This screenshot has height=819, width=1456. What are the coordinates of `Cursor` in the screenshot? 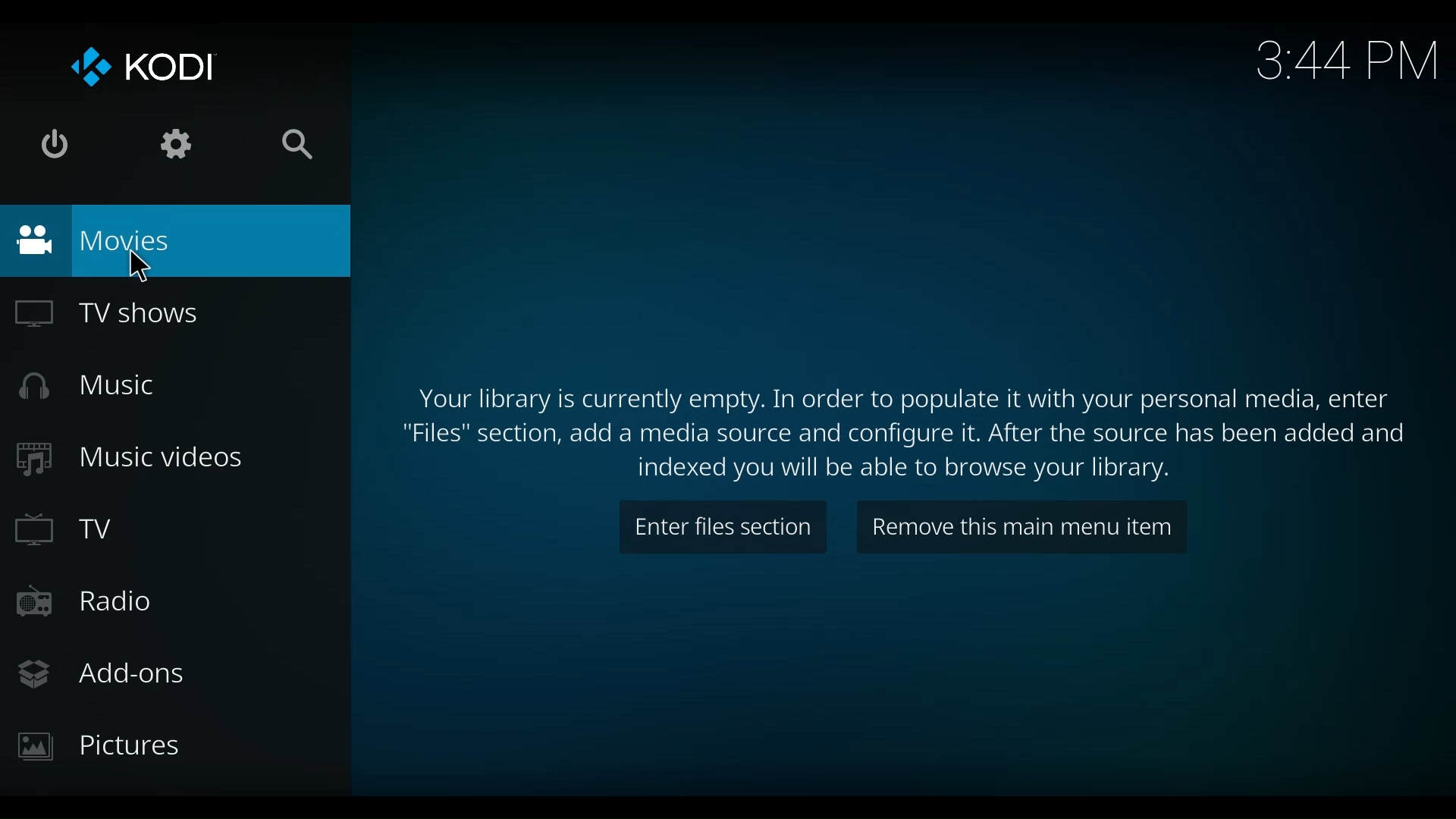 It's located at (144, 265).